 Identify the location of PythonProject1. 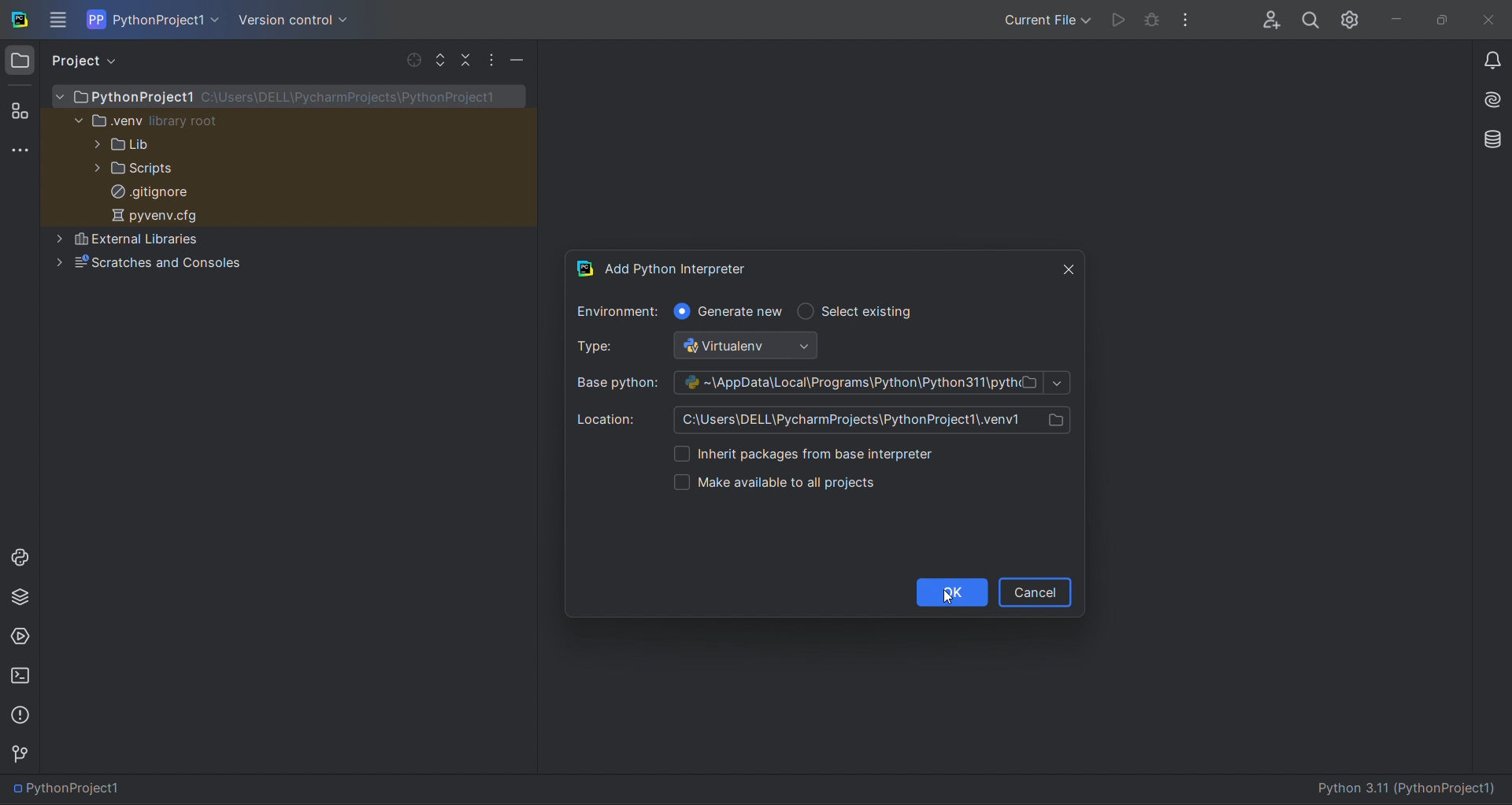
(72, 790).